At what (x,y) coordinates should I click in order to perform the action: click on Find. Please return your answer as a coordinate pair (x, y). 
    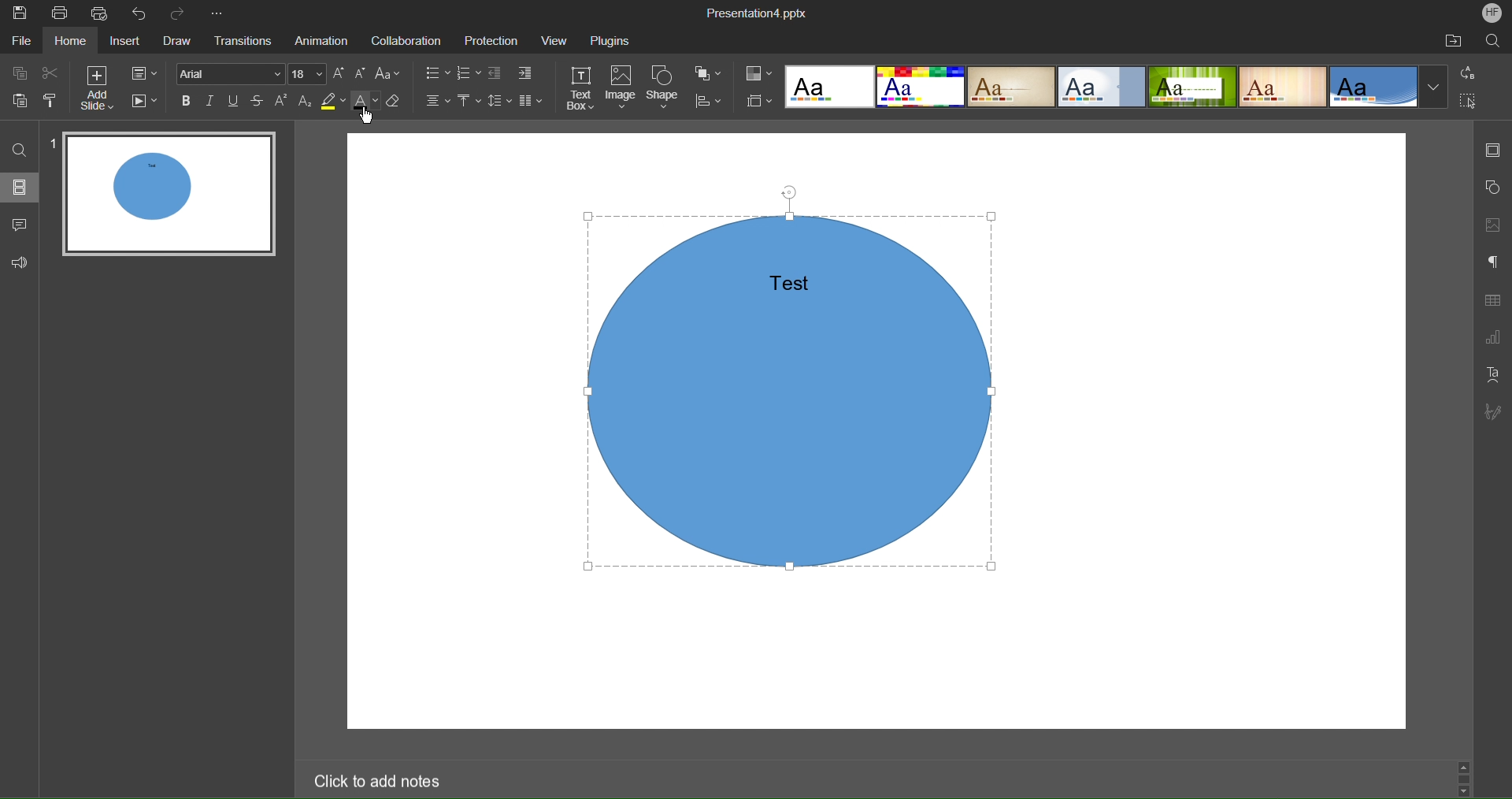
    Looking at the image, I should click on (23, 150).